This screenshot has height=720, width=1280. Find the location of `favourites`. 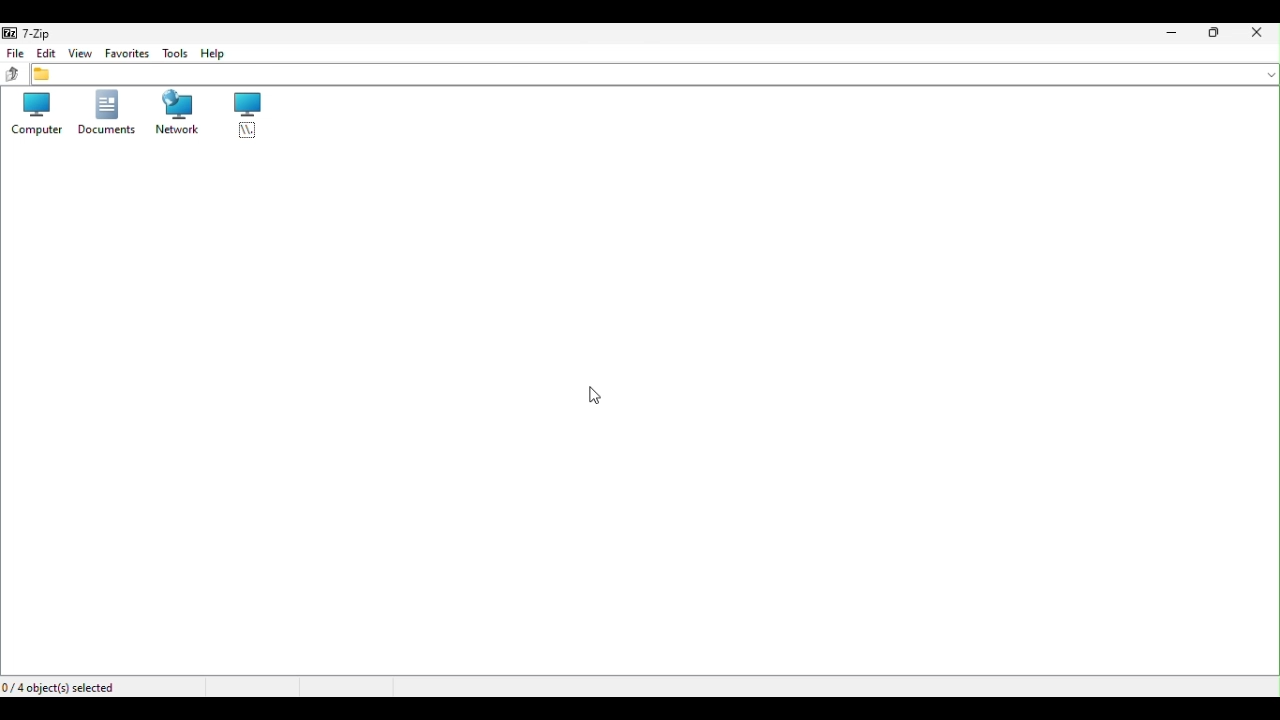

favourites is located at coordinates (124, 56).